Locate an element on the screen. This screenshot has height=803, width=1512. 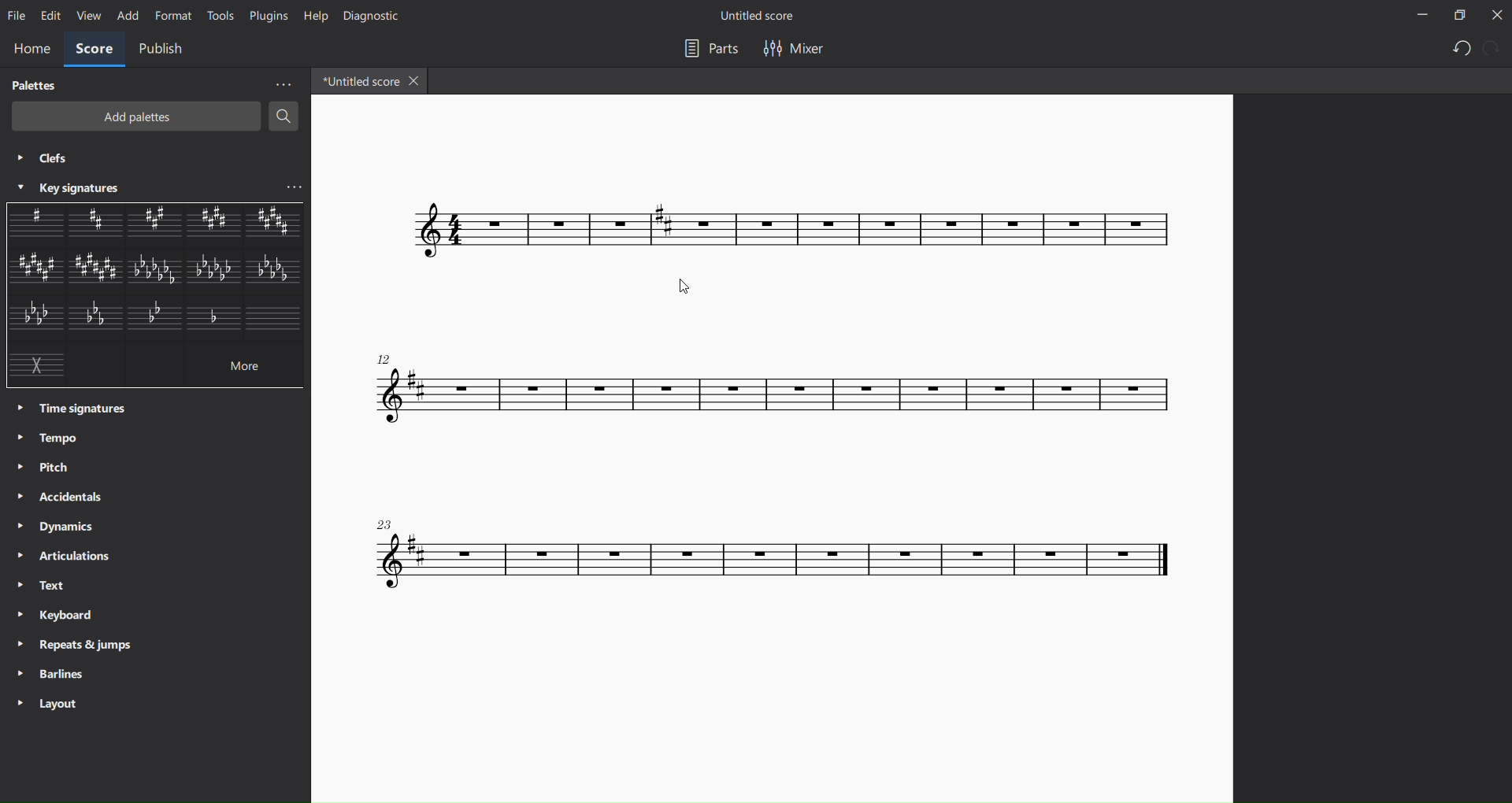
more is located at coordinates (283, 83).